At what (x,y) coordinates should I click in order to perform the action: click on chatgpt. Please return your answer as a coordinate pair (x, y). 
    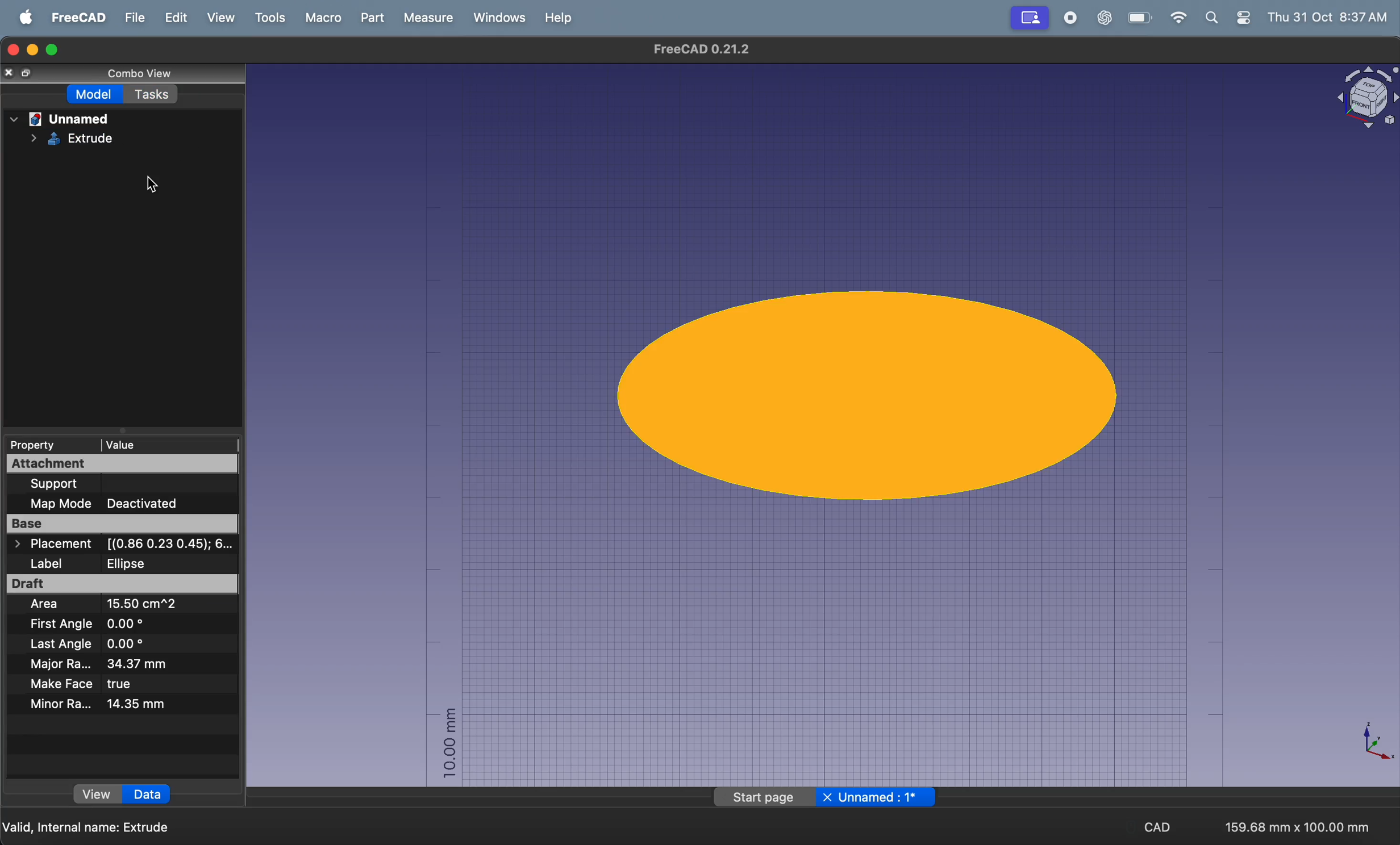
    Looking at the image, I should click on (1099, 18).